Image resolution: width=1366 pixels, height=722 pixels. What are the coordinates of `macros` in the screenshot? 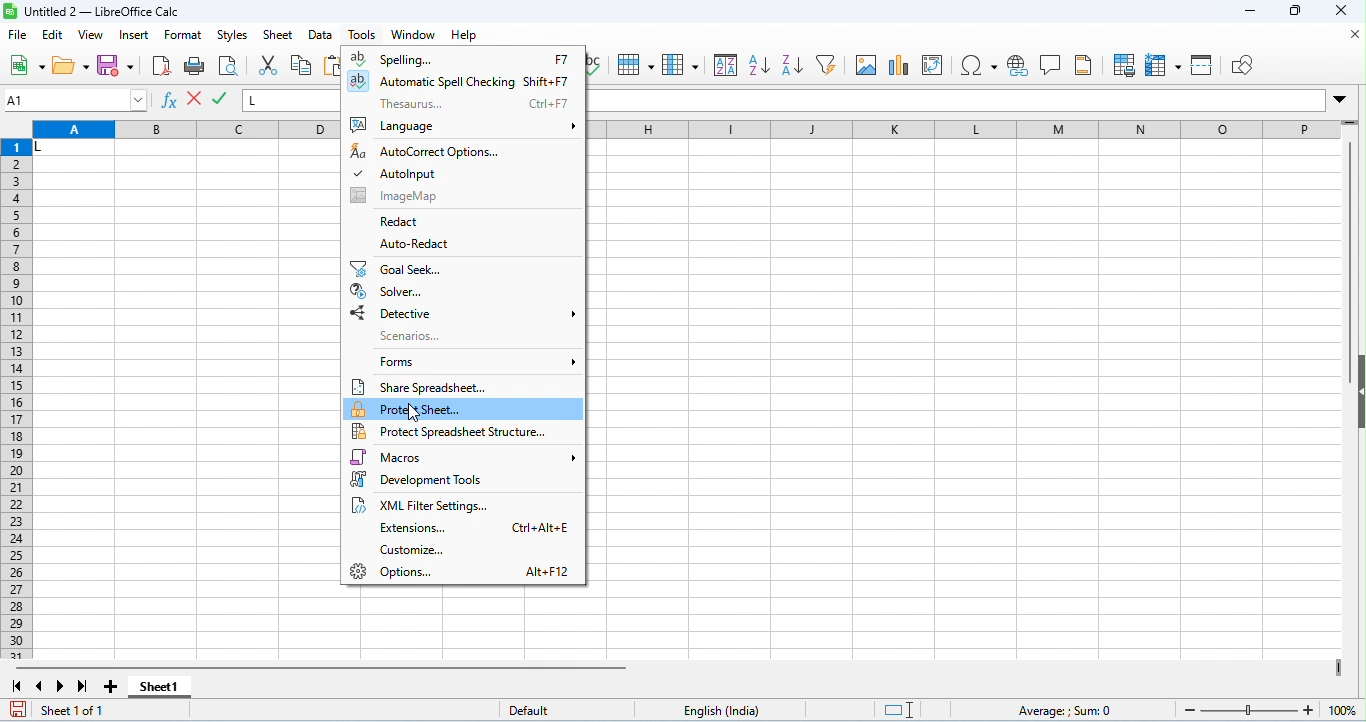 It's located at (466, 458).